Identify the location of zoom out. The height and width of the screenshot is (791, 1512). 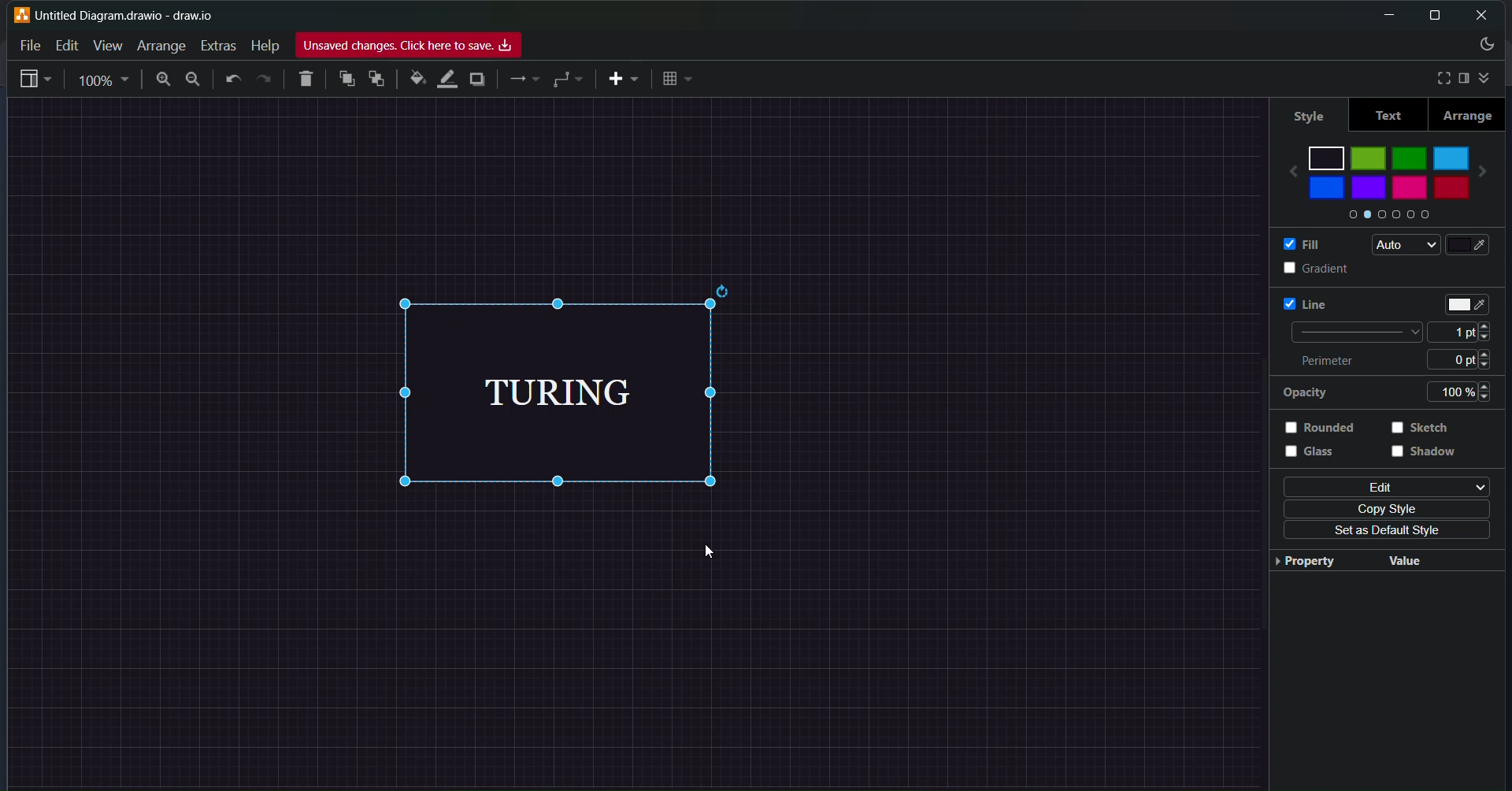
(195, 79).